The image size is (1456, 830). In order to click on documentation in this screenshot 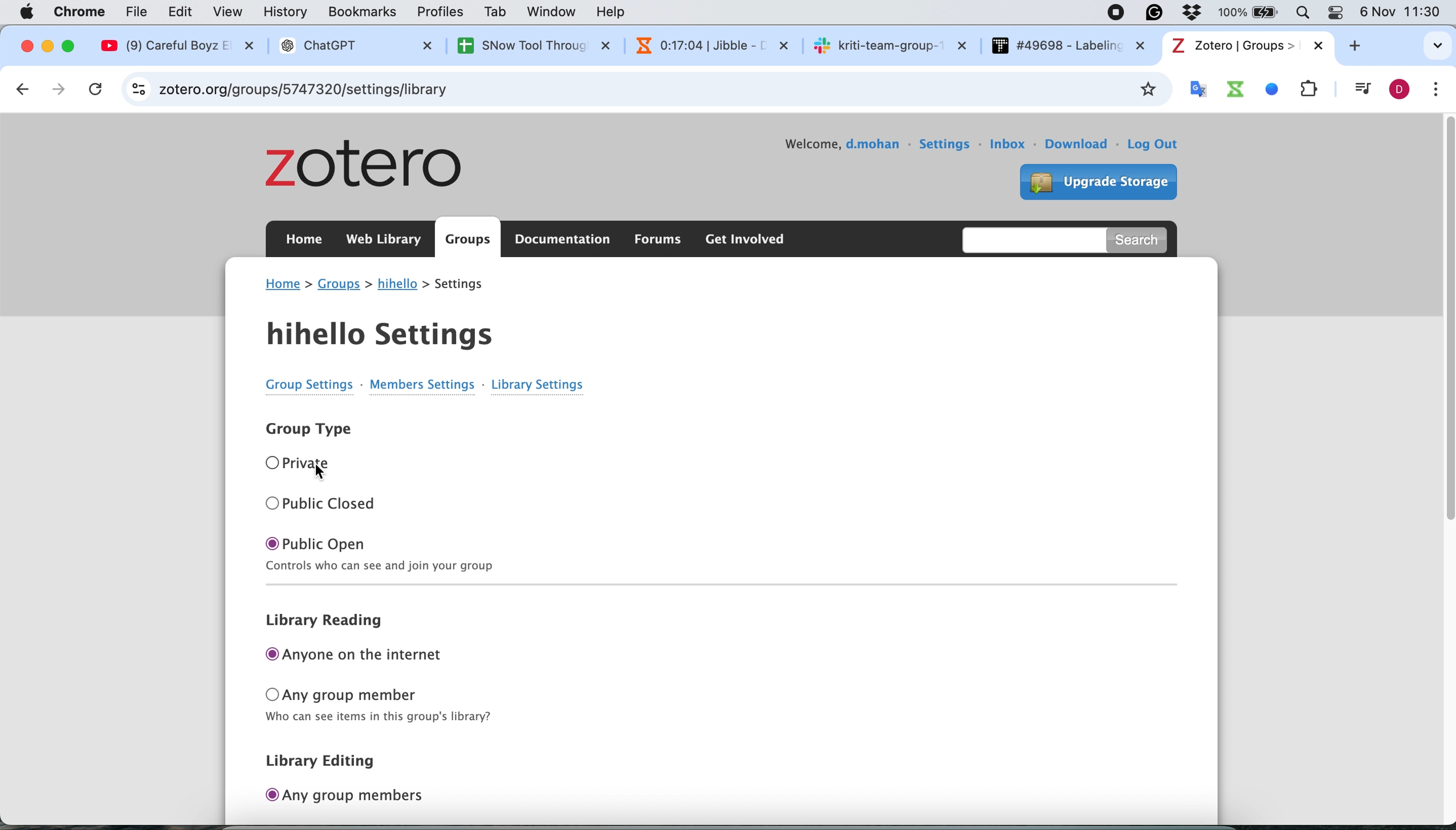, I will do `click(564, 240)`.